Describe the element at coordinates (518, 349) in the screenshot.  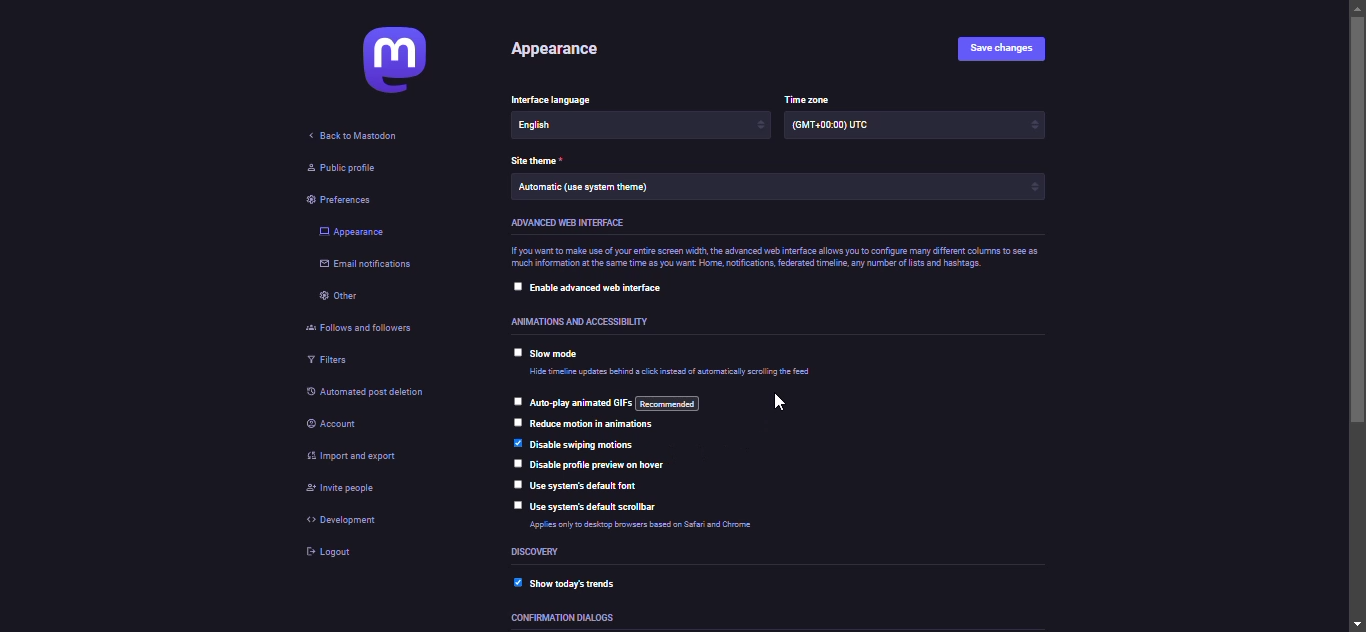
I see `click to select` at that location.